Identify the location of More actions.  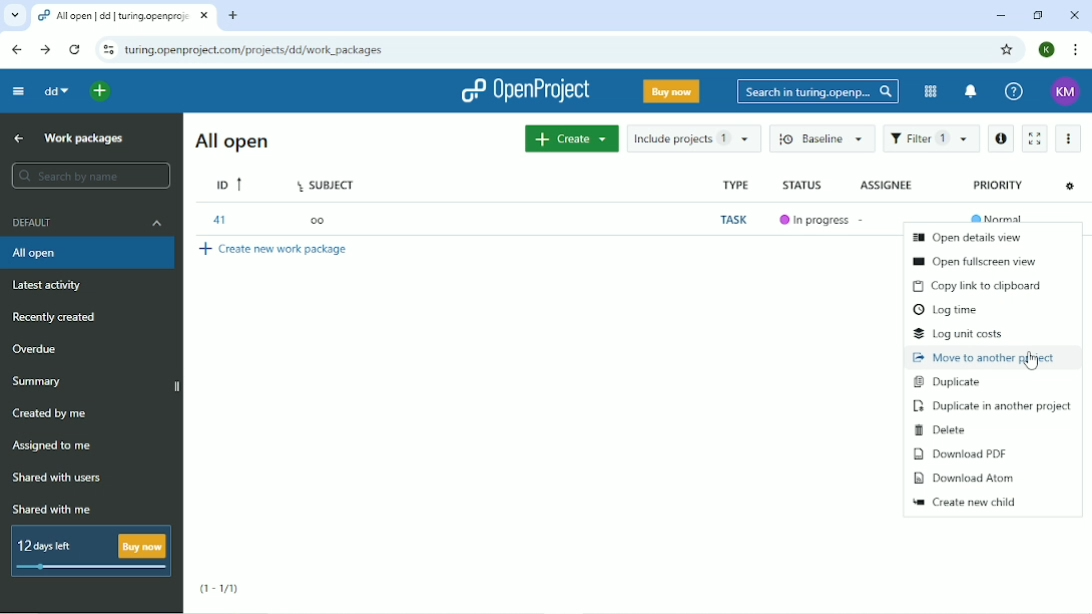
(1068, 140).